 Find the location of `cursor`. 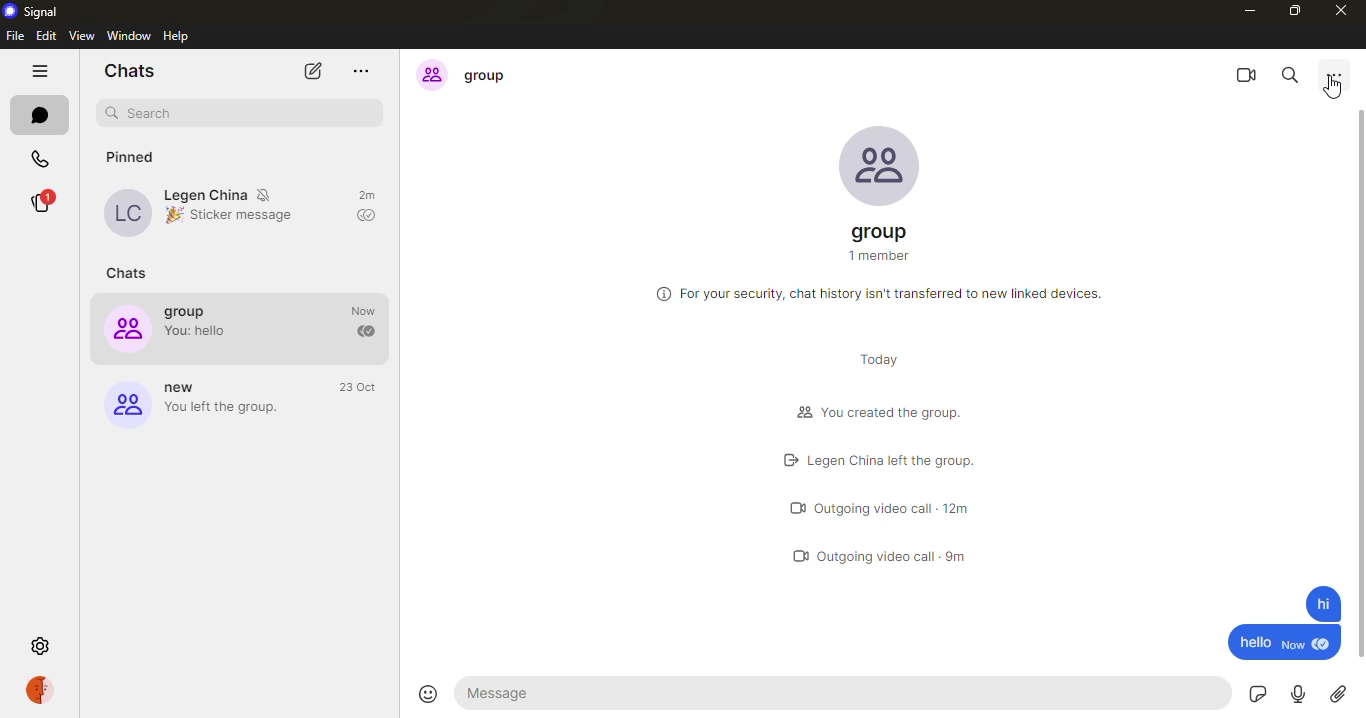

cursor is located at coordinates (1332, 88).